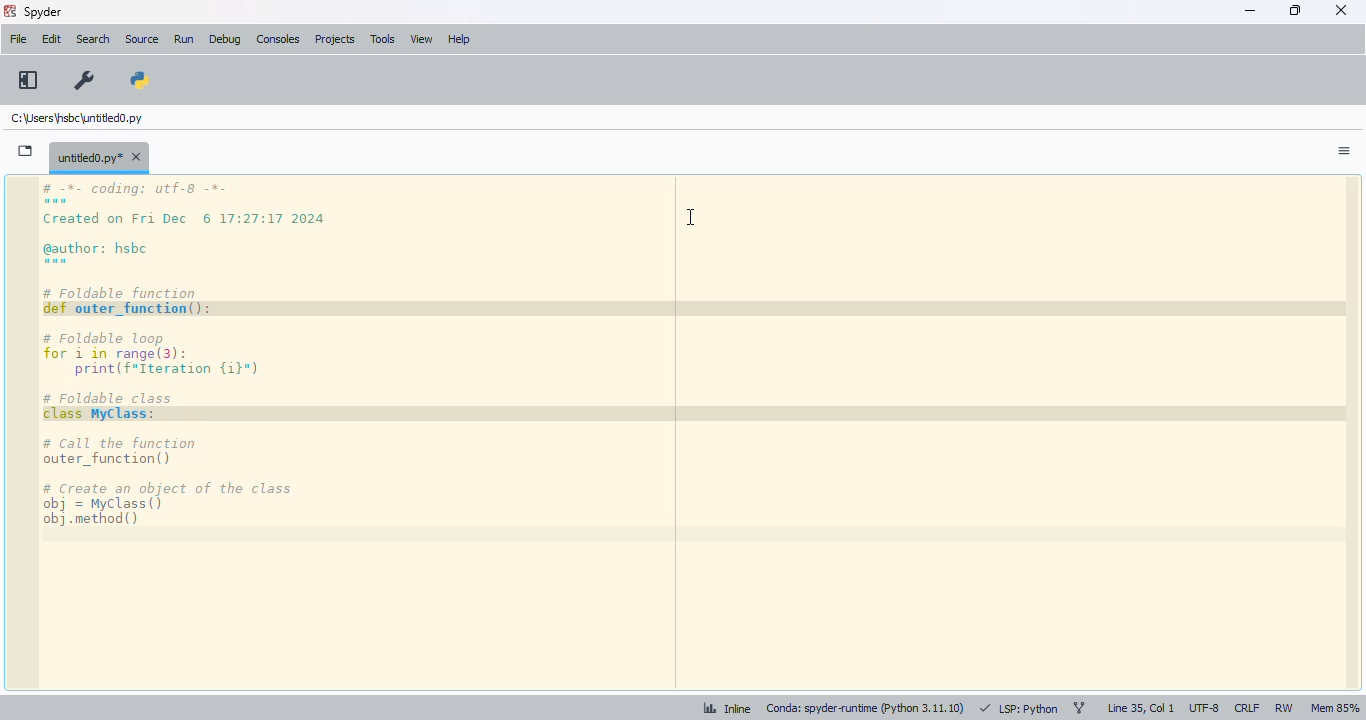 The image size is (1366, 720). What do you see at coordinates (698, 431) in the screenshot?
I see `editor` at bounding box center [698, 431].